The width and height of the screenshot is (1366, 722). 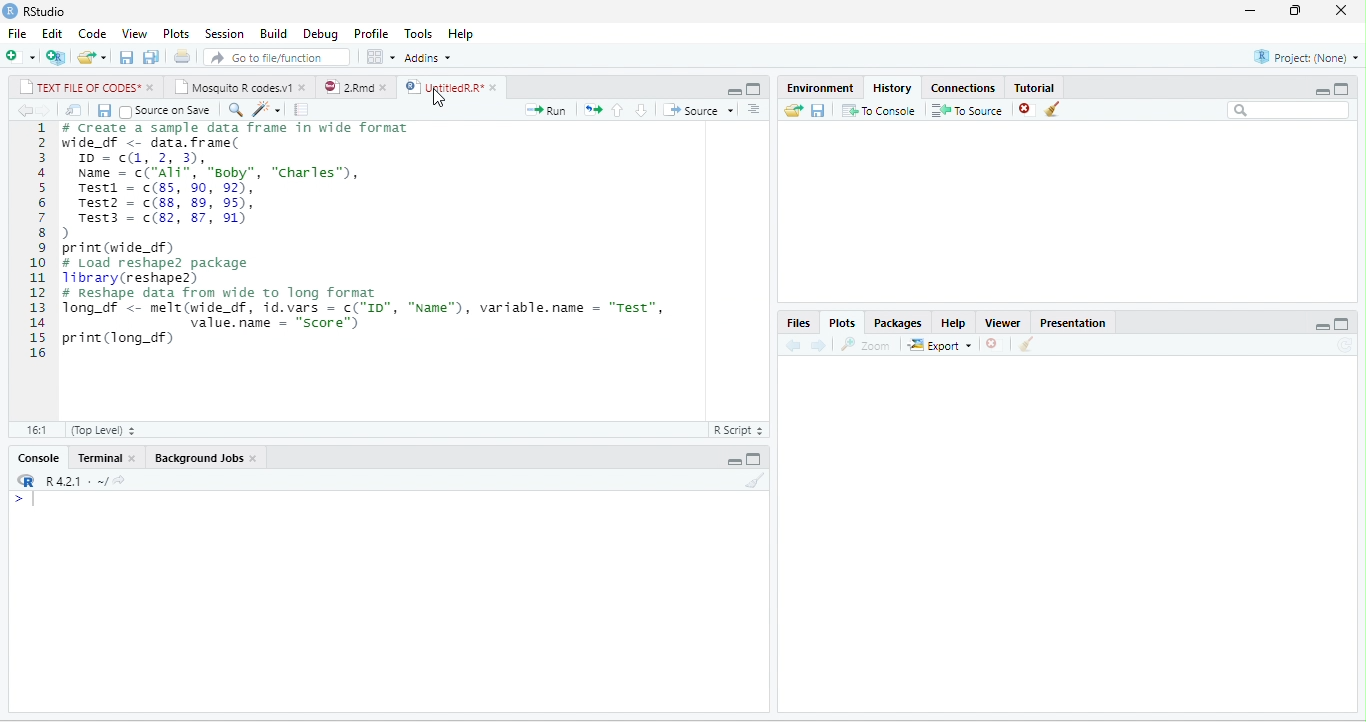 I want to click on Environment, so click(x=819, y=88).